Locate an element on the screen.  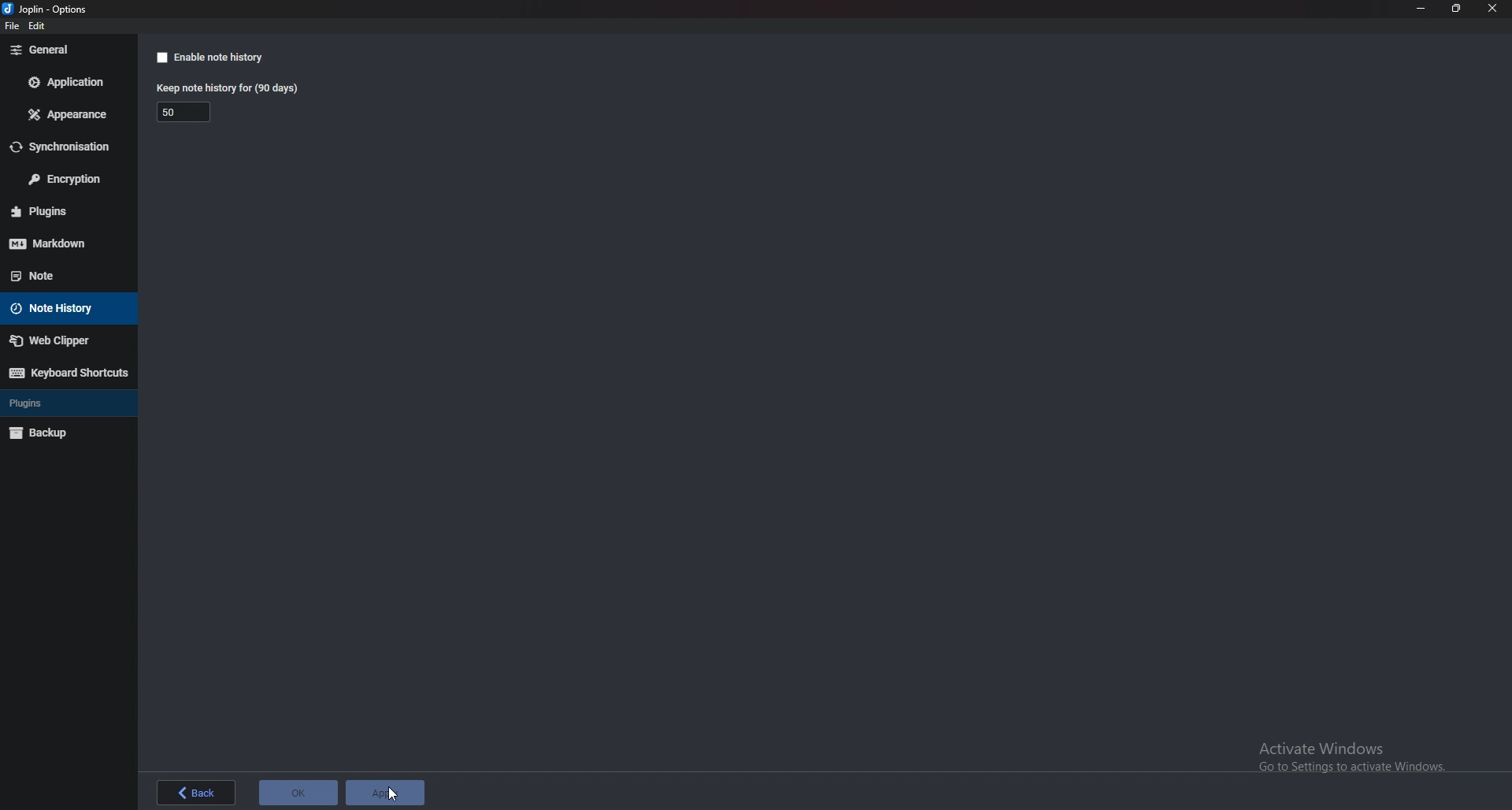
Back up is located at coordinates (60, 433).